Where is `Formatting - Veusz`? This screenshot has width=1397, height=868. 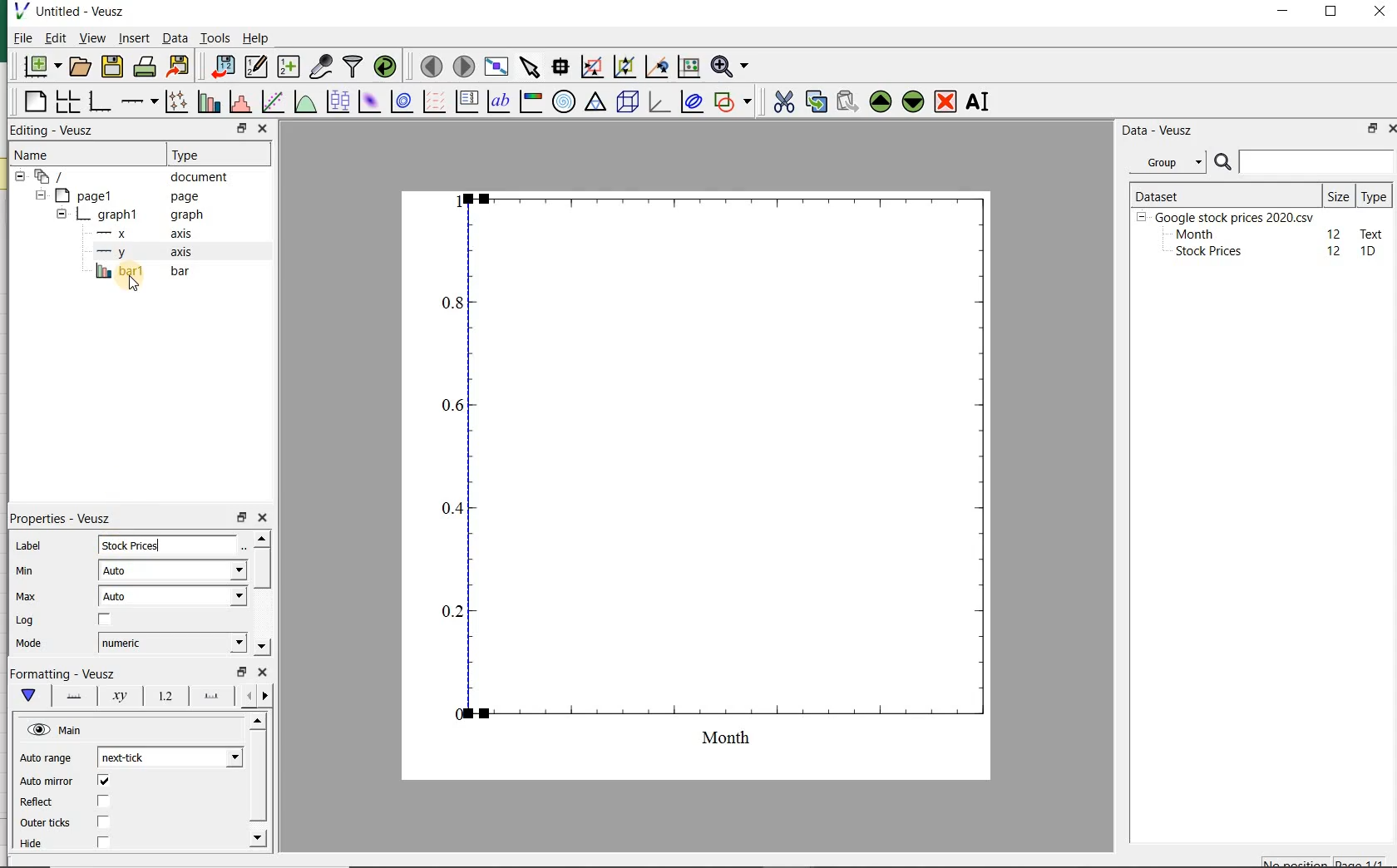 Formatting - Veusz is located at coordinates (65, 673).